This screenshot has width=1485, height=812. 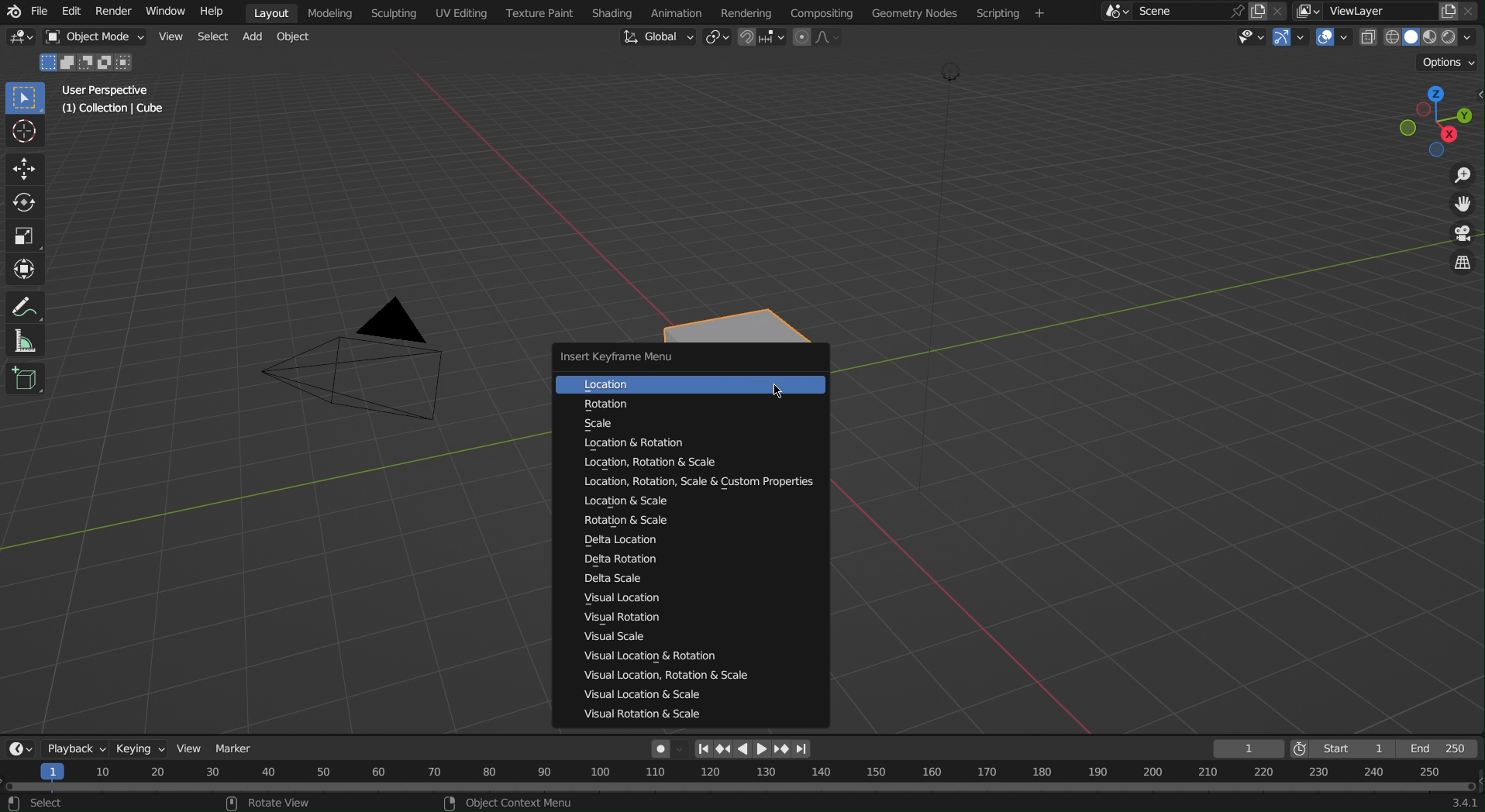 I want to click on Location & Scale, so click(x=614, y=503).